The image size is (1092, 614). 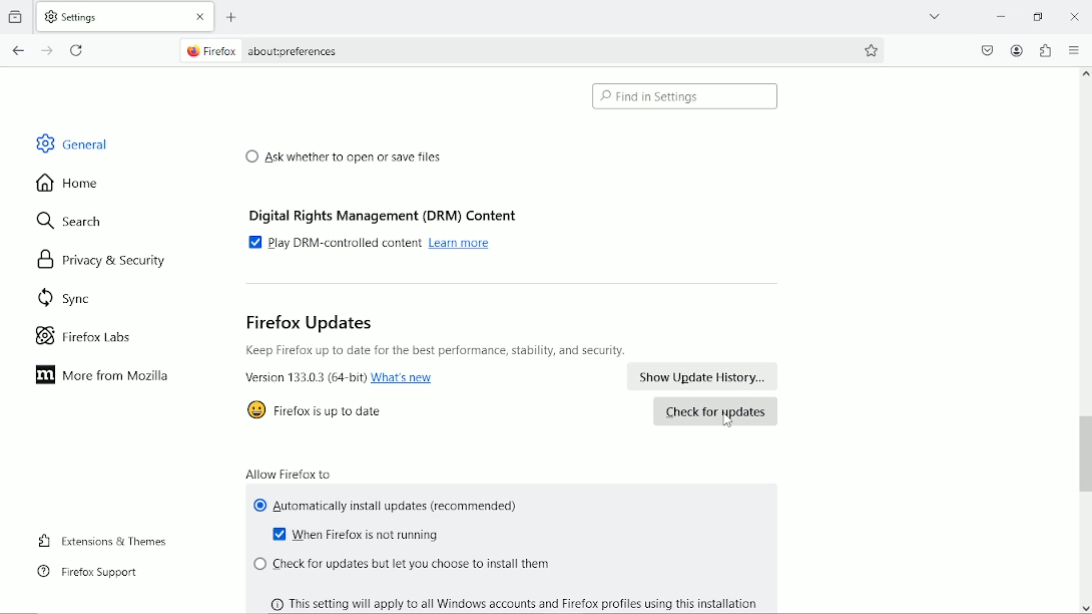 I want to click on find in settings, so click(x=685, y=96).